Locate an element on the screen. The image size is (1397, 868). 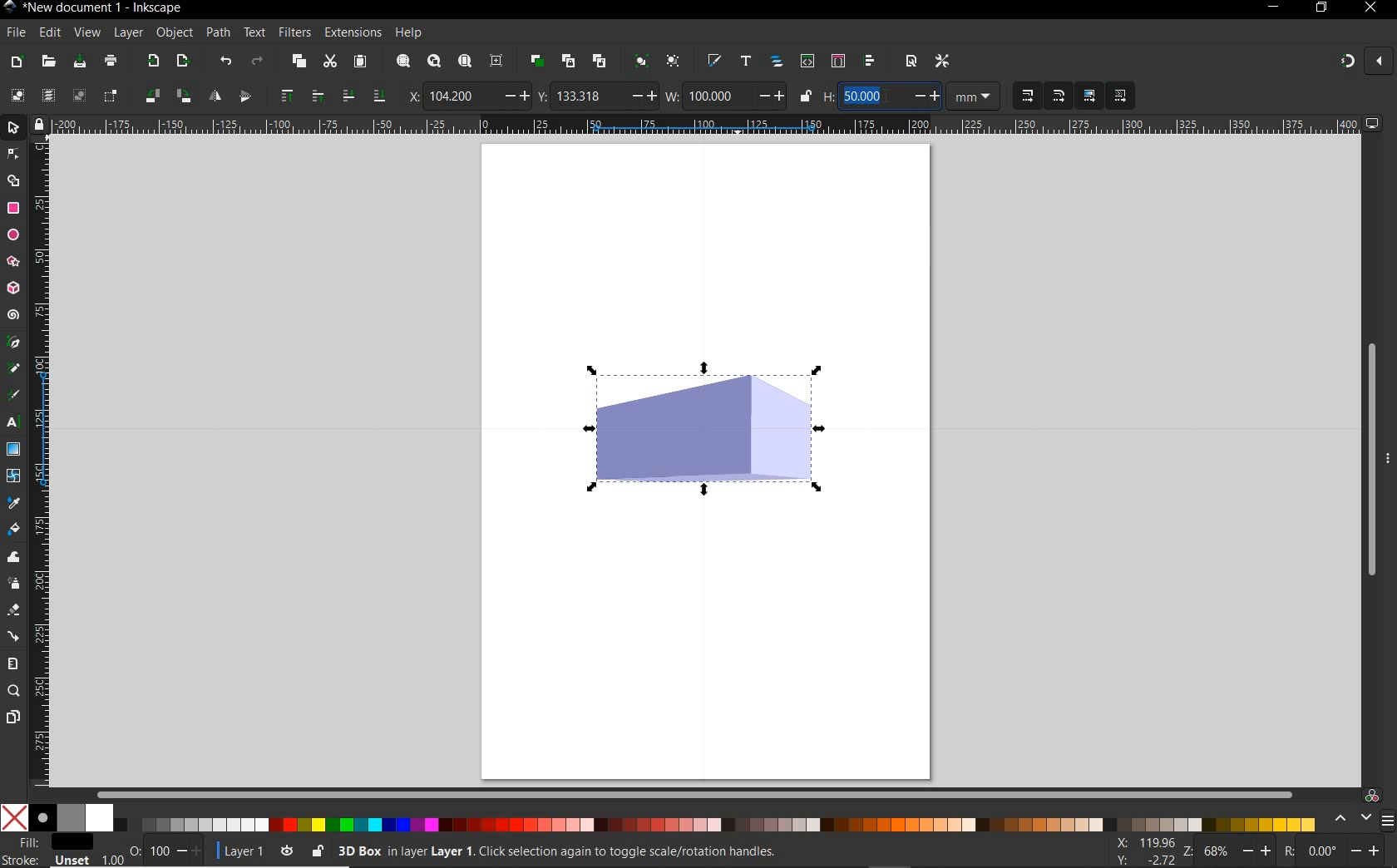
dropper tool is located at coordinates (16, 503).